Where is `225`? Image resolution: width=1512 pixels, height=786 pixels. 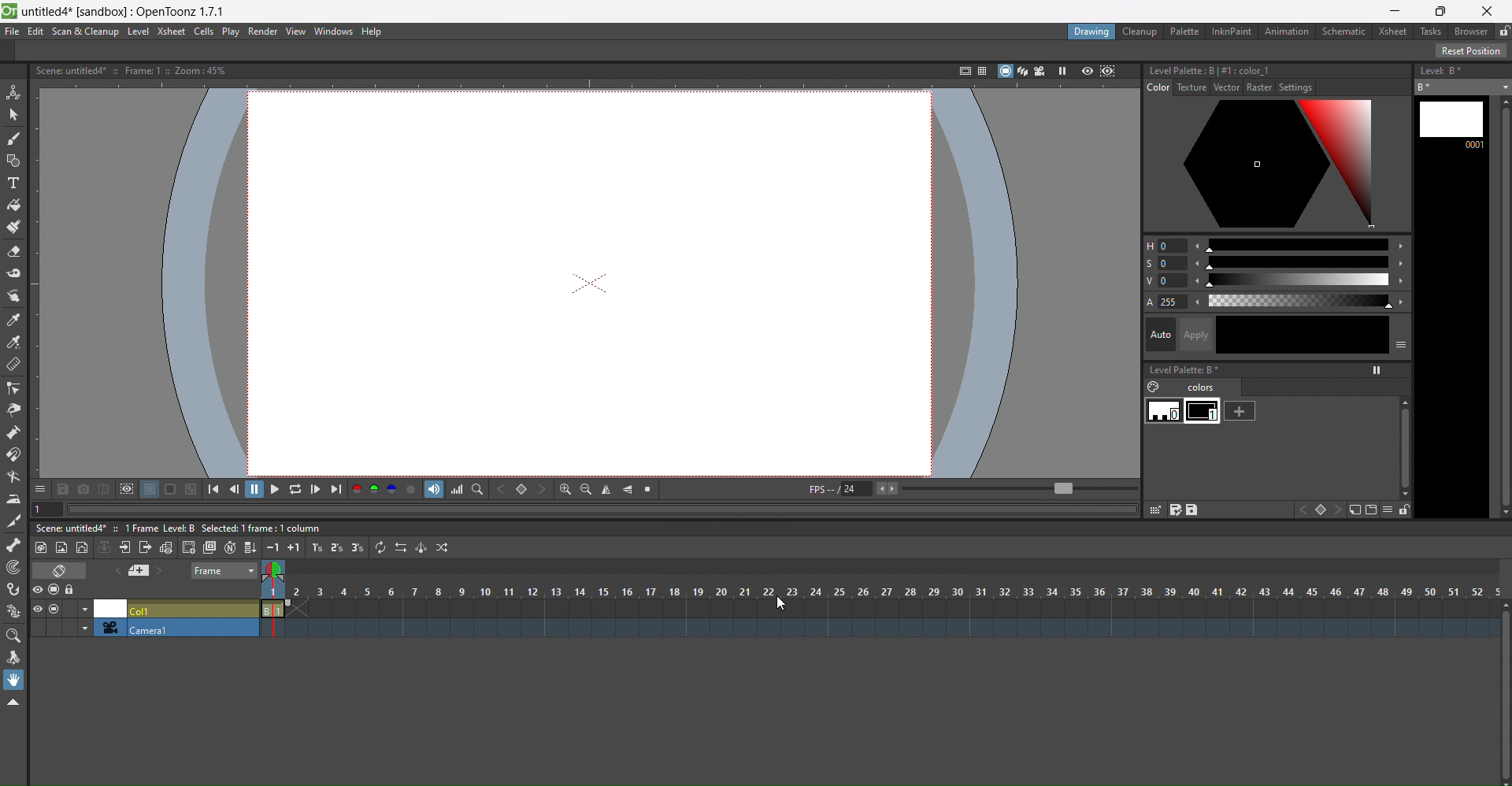 225 is located at coordinates (1174, 301).